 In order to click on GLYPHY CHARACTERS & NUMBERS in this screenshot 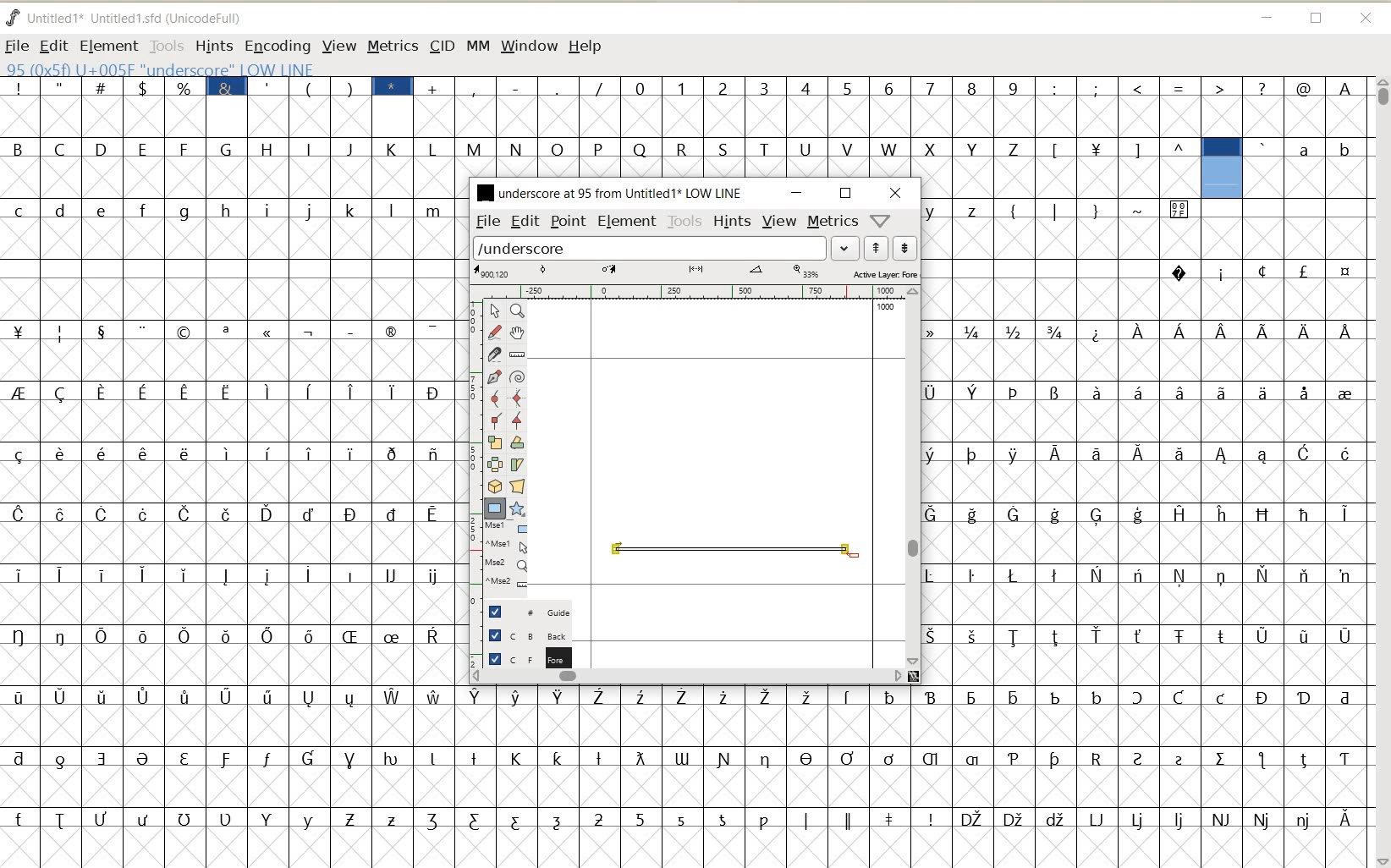, I will do `click(913, 100)`.